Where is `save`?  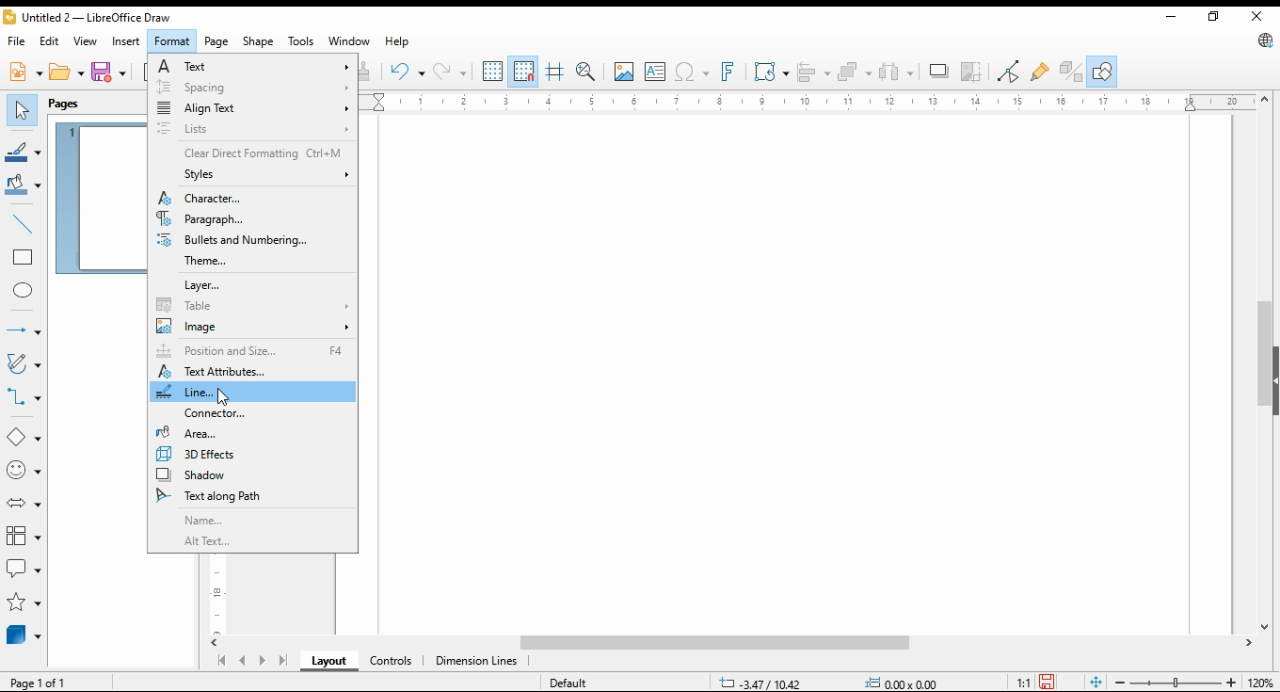 save is located at coordinates (107, 71).